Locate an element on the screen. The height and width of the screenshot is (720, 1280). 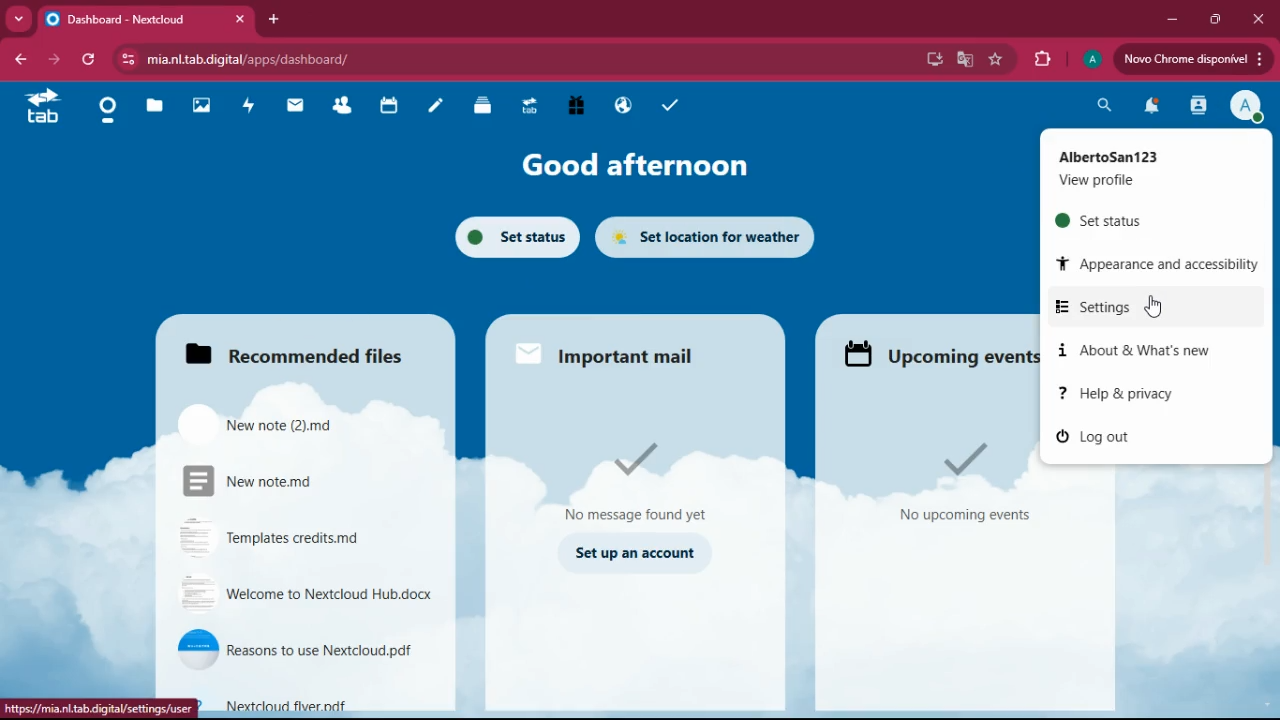
calendar is located at coordinates (390, 107).